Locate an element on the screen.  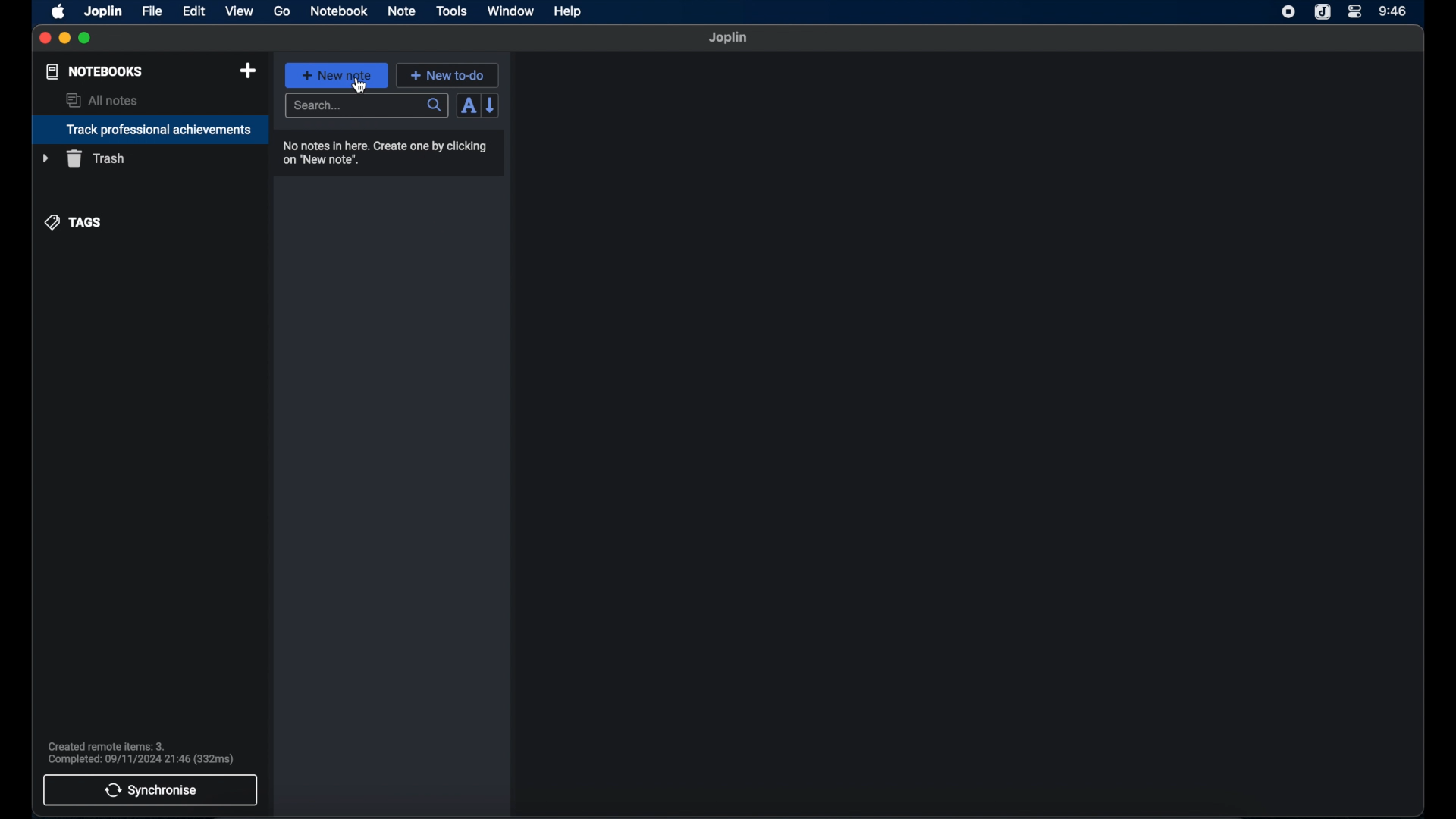
new note is located at coordinates (336, 74).